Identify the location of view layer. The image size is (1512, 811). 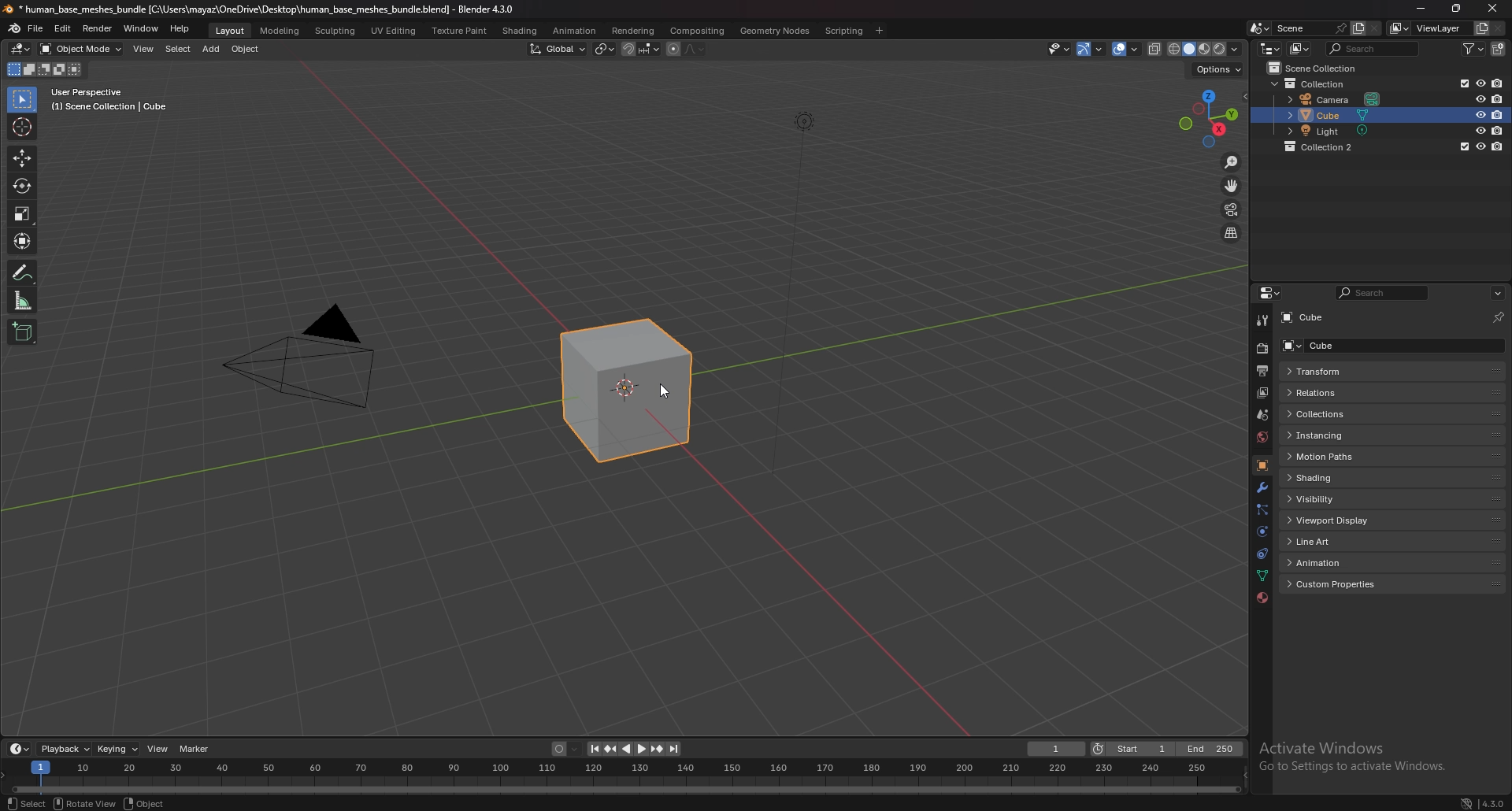
(1262, 393).